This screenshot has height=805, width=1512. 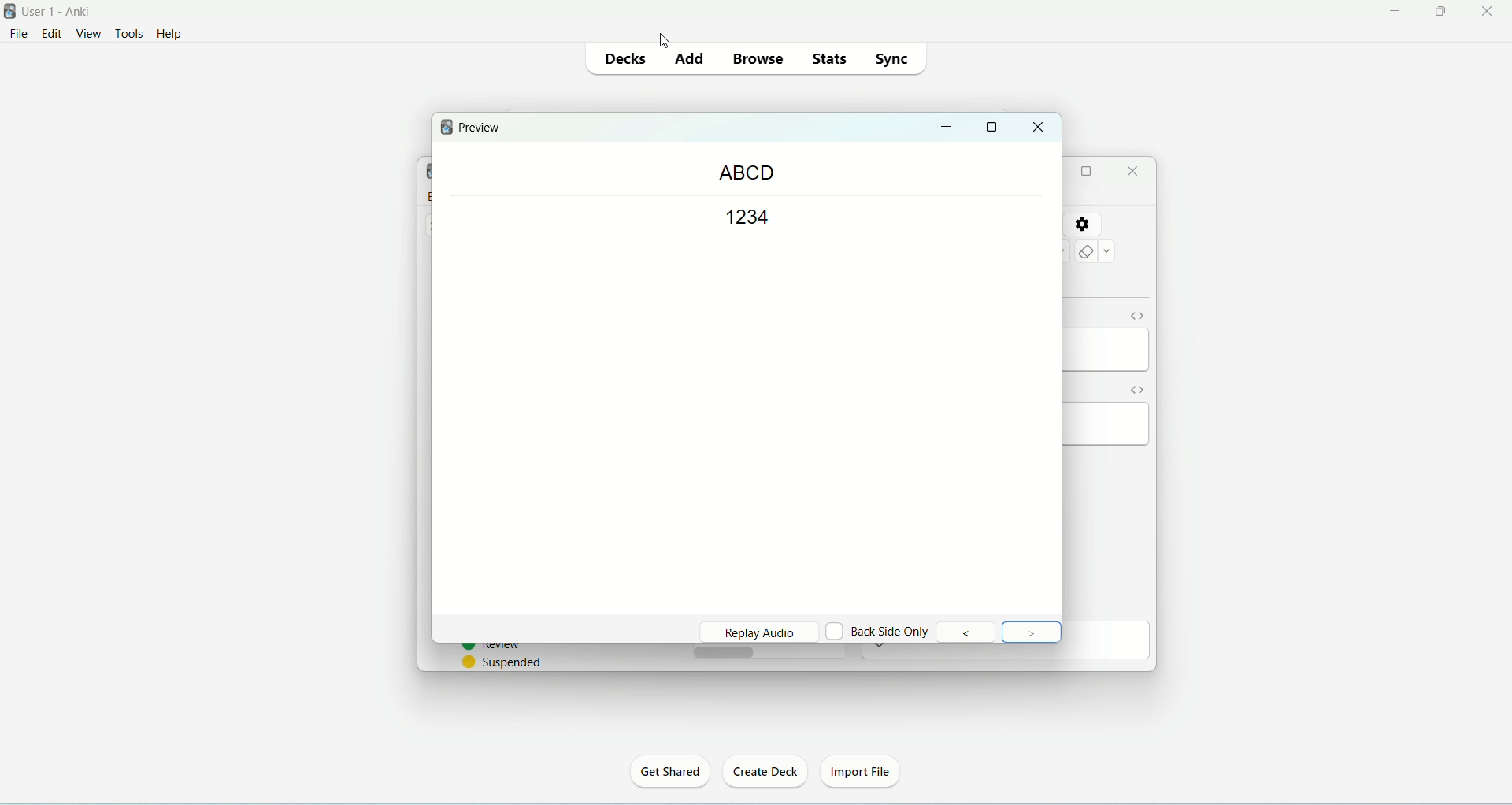 I want to click on previous, so click(x=967, y=631).